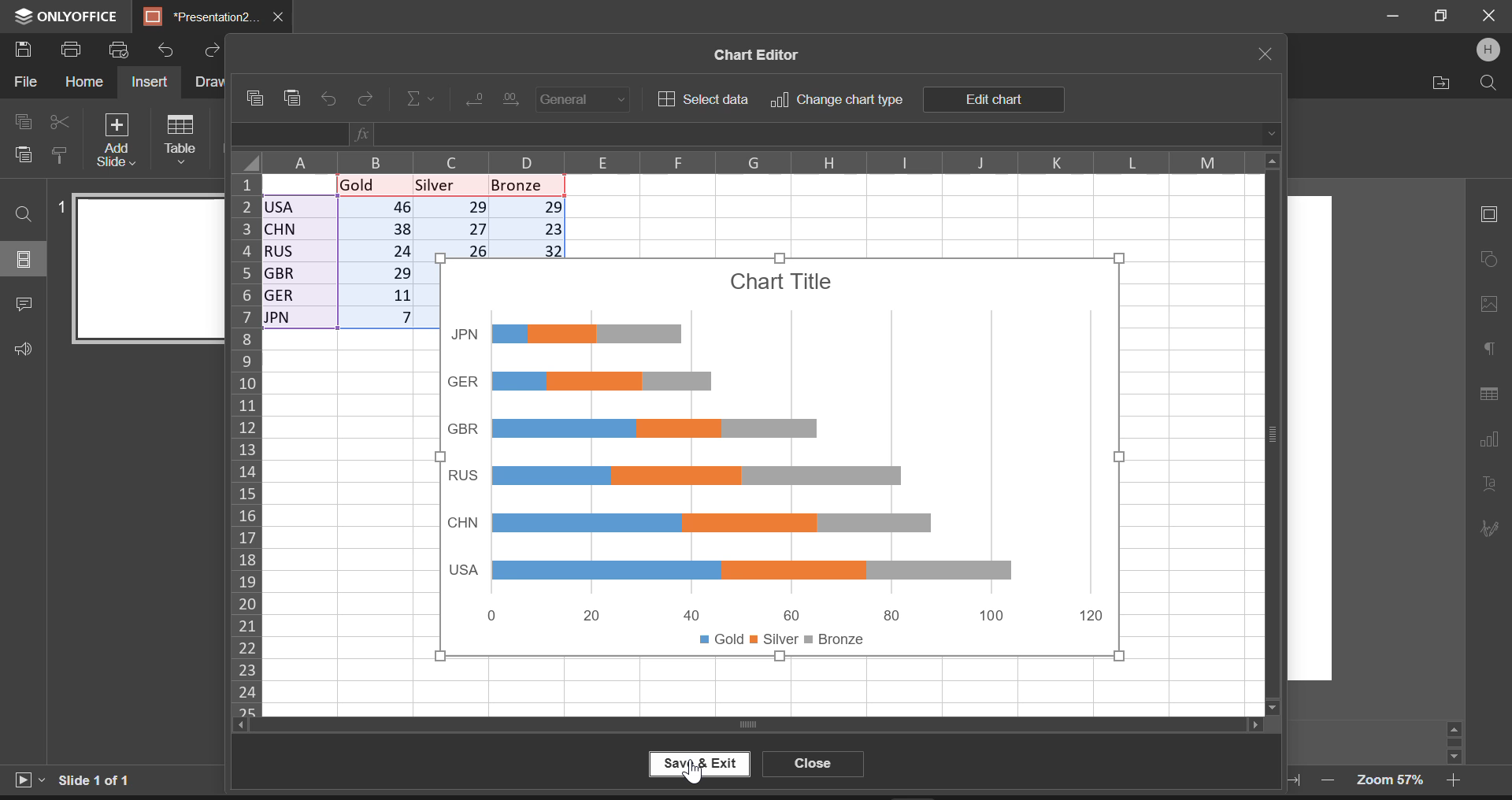  What do you see at coordinates (415, 215) in the screenshot?
I see `Chart input data` at bounding box center [415, 215].